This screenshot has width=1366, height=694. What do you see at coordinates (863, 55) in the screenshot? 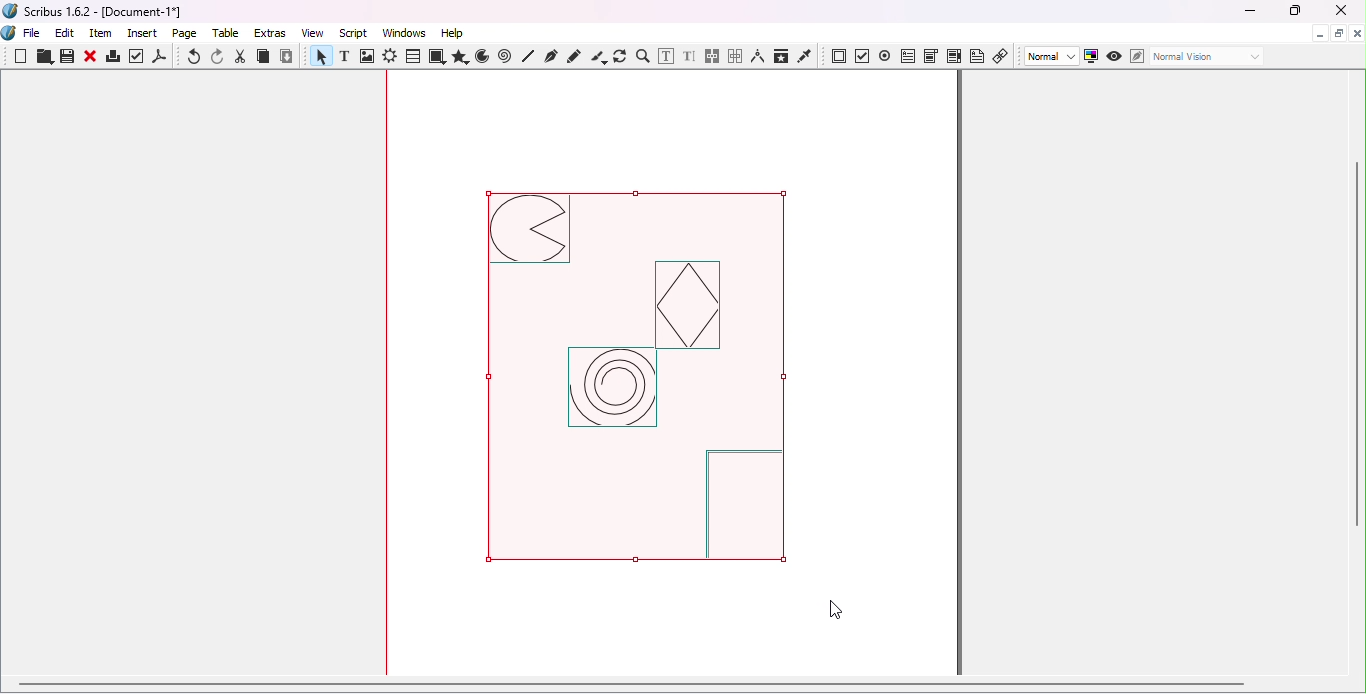
I see `PDF check button` at bounding box center [863, 55].